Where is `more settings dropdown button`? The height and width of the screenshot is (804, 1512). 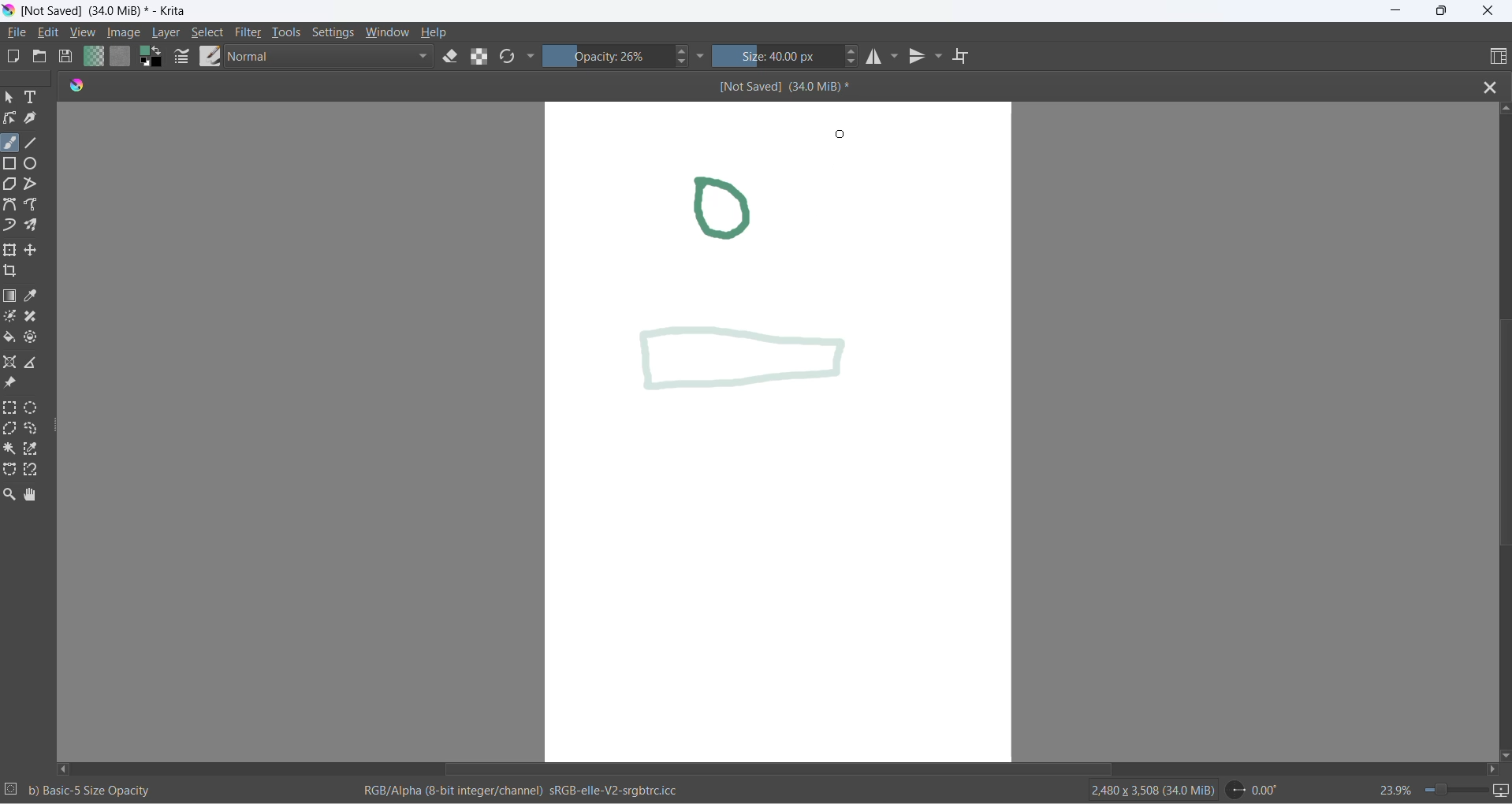 more settings dropdown button is located at coordinates (533, 59).